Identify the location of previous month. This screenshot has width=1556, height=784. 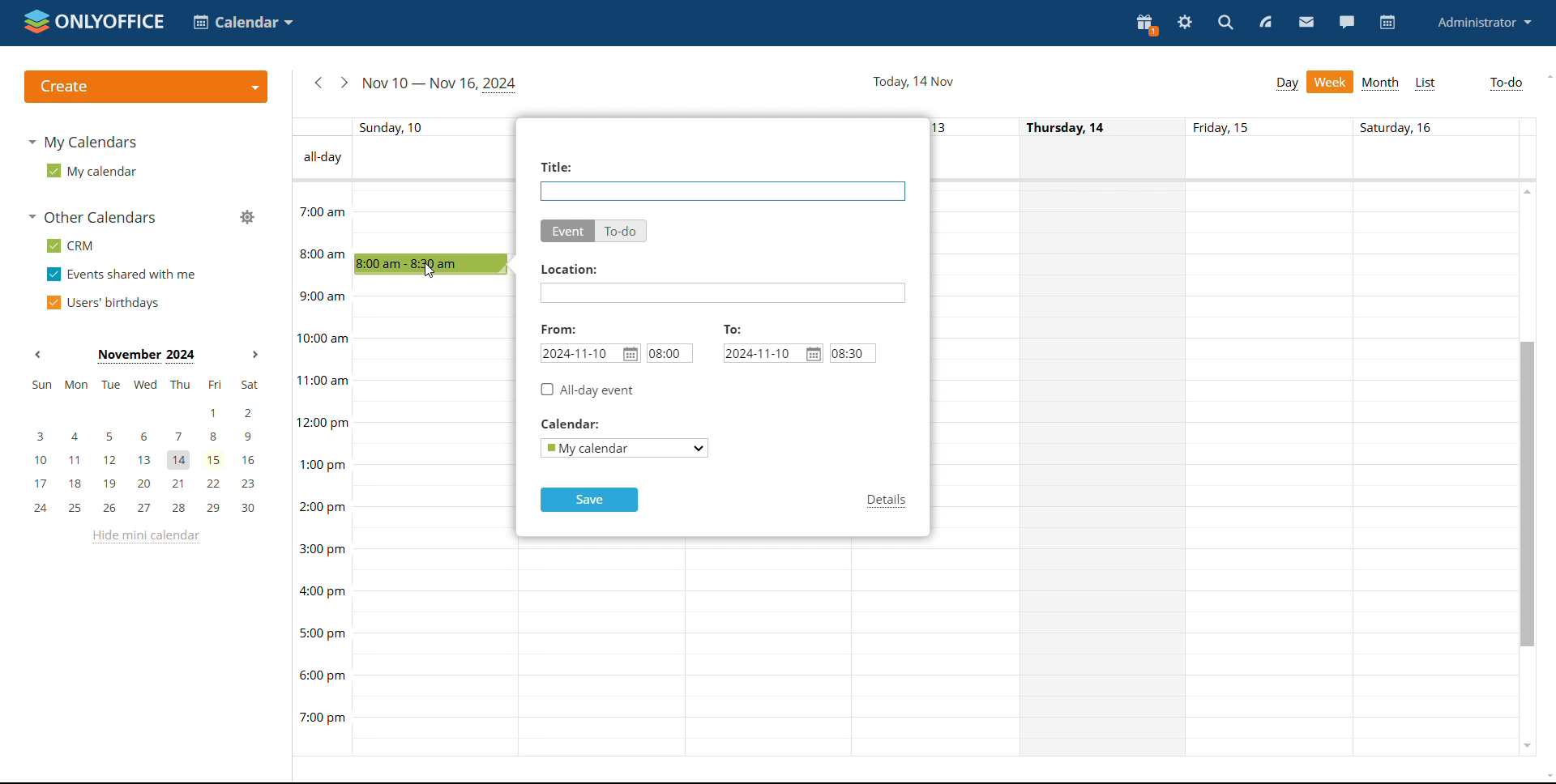
(37, 356).